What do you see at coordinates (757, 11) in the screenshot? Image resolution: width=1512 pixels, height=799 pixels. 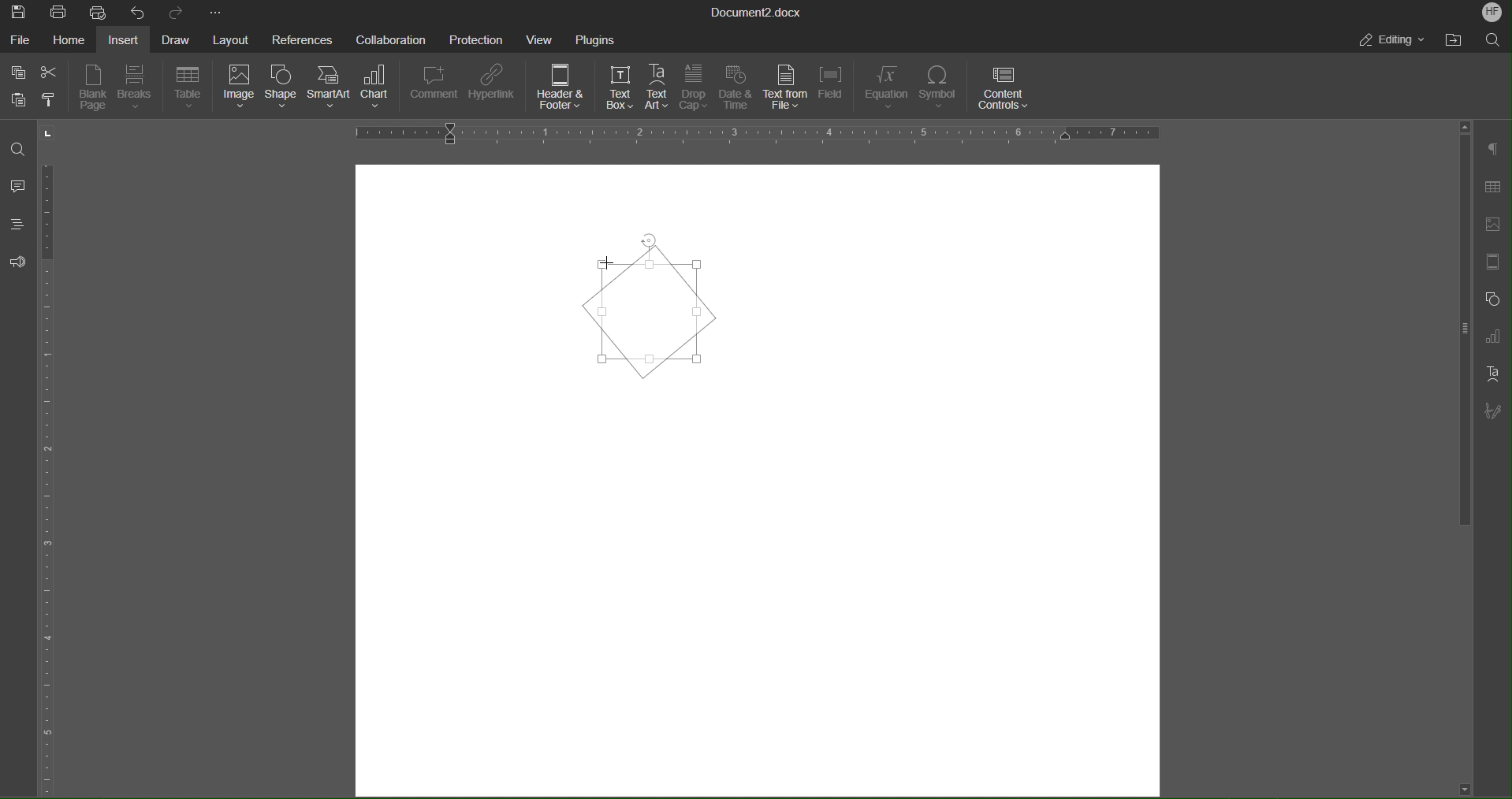 I see `Document Title` at bounding box center [757, 11].